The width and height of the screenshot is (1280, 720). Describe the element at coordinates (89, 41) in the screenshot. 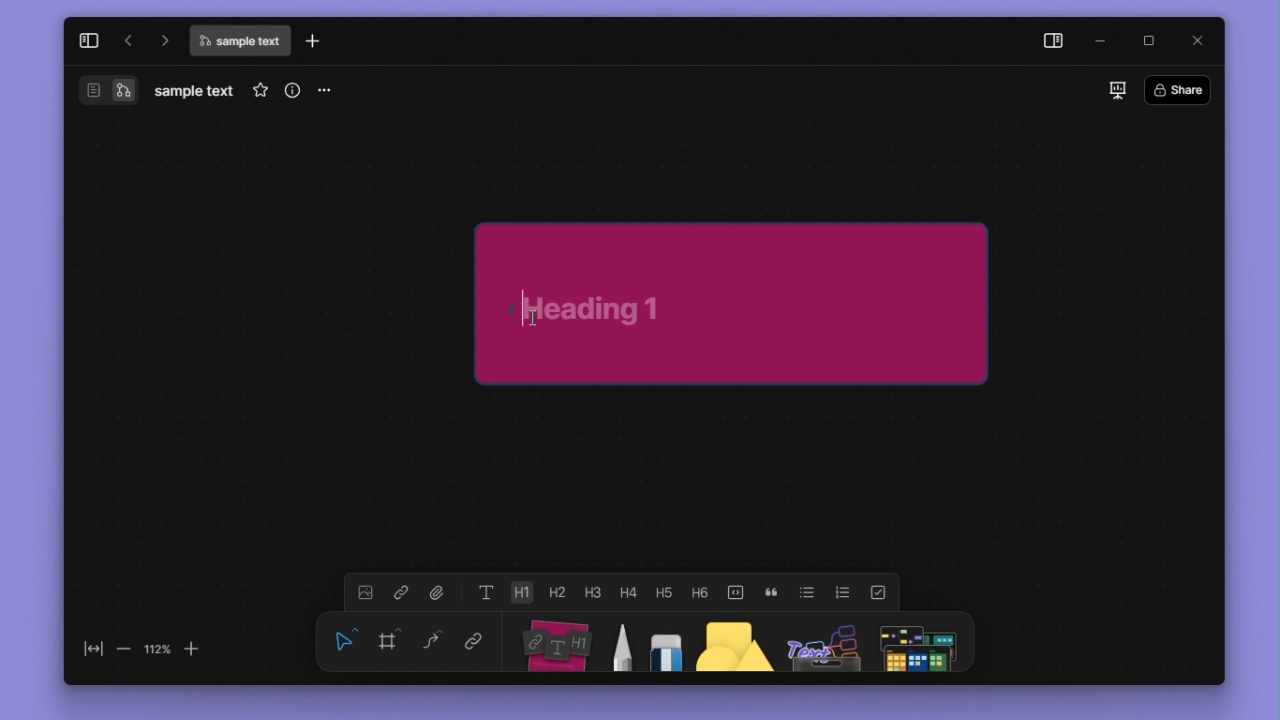

I see `collapse sidebar` at that location.